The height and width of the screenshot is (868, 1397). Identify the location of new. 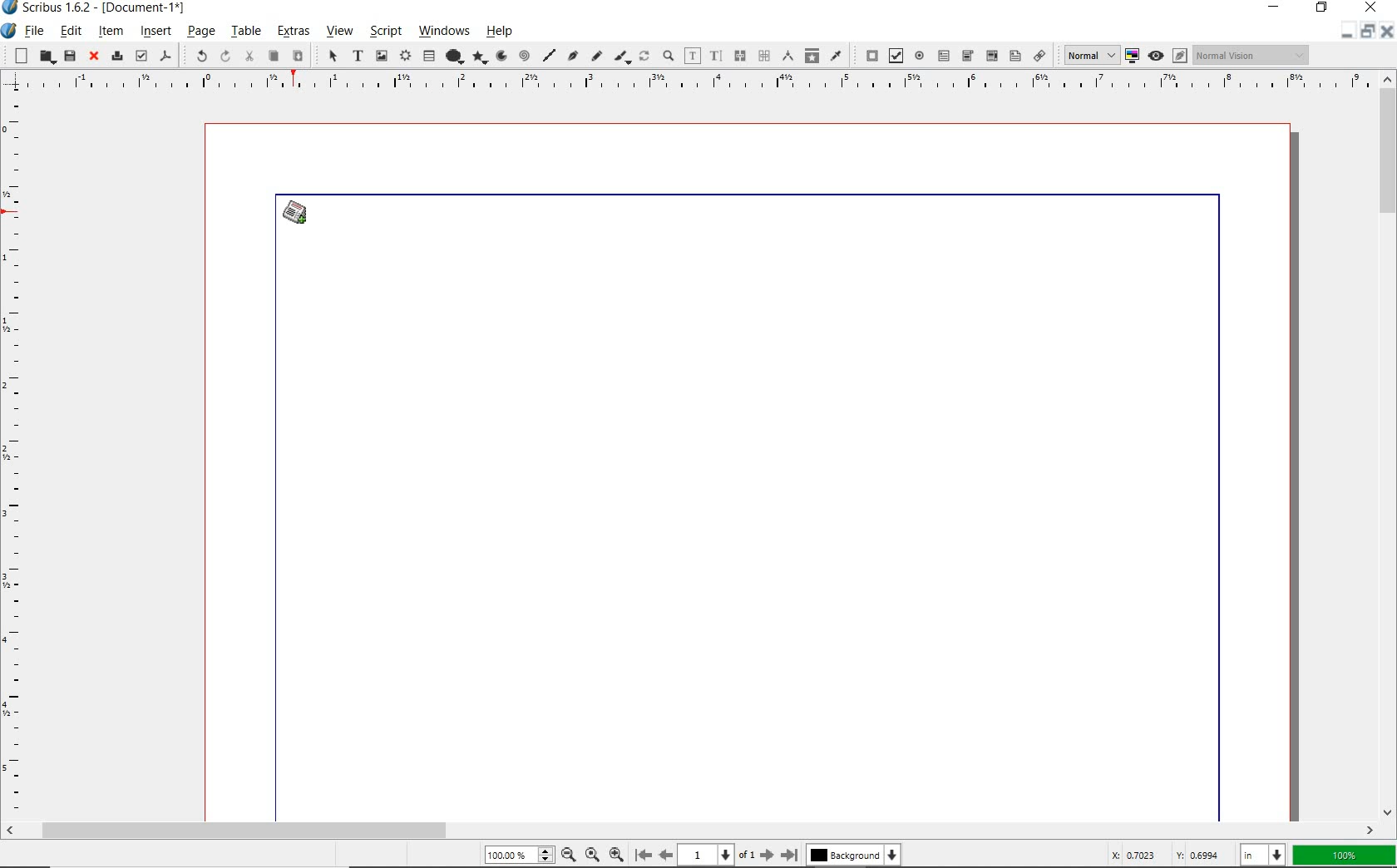
(19, 56).